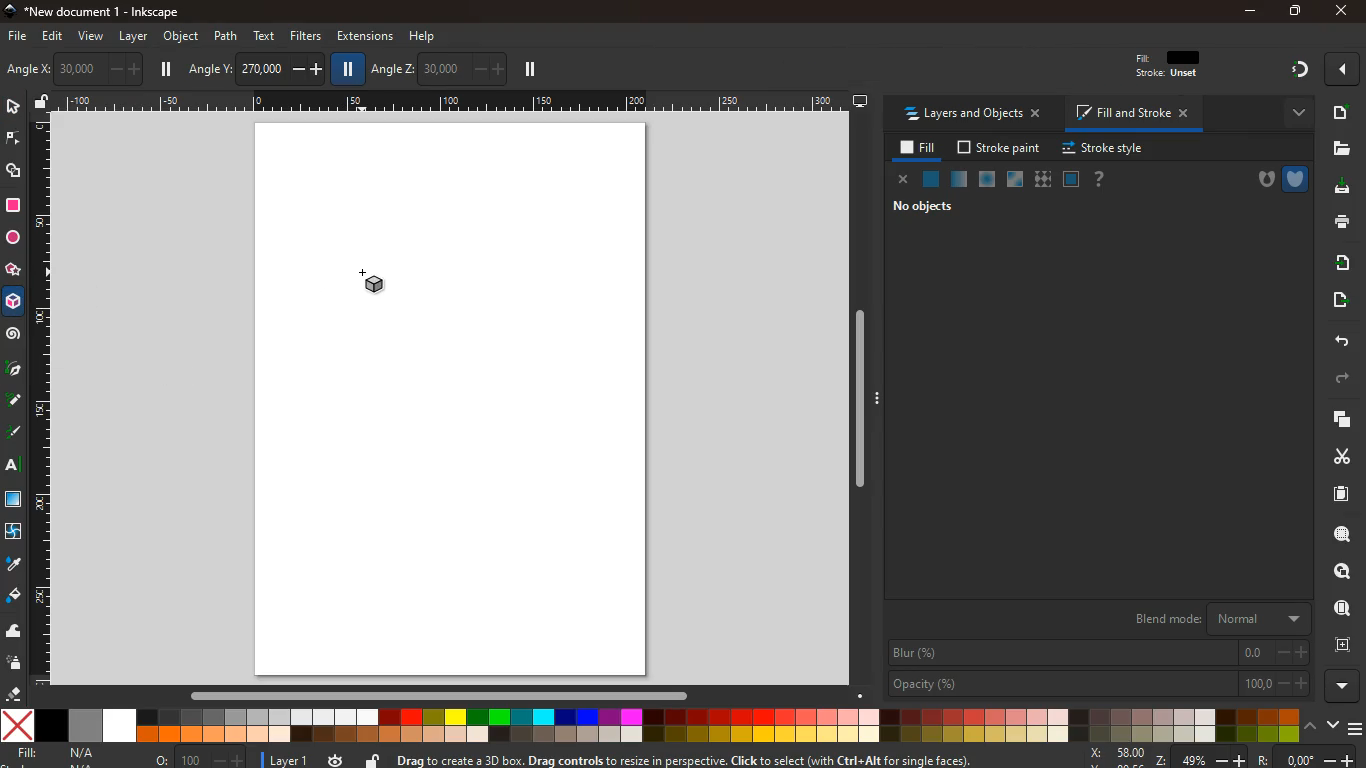 This screenshot has height=768, width=1366. I want to click on screen, so click(16, 502).